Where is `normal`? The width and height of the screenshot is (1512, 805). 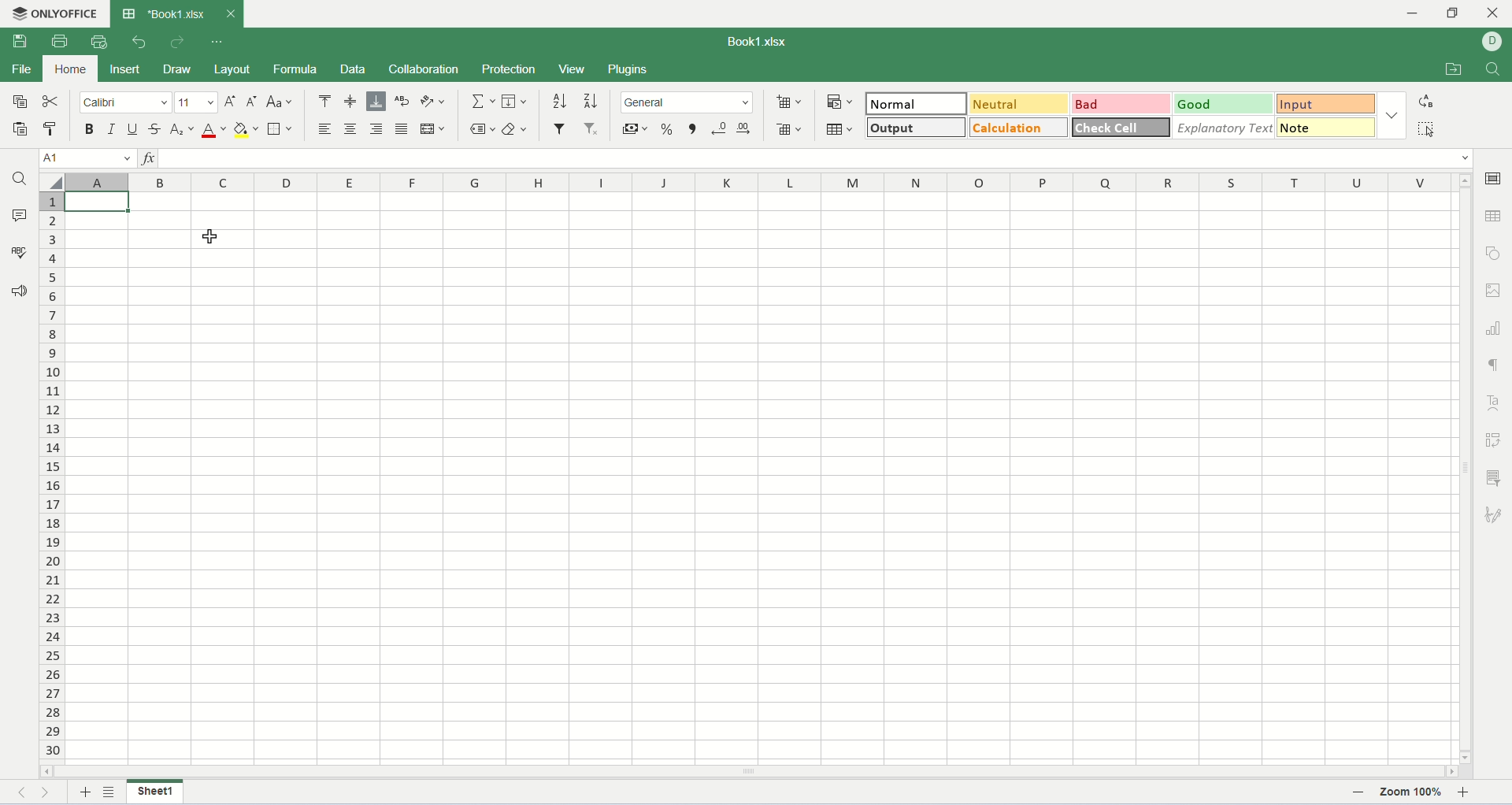 normal is located at coordinates (917, 103).